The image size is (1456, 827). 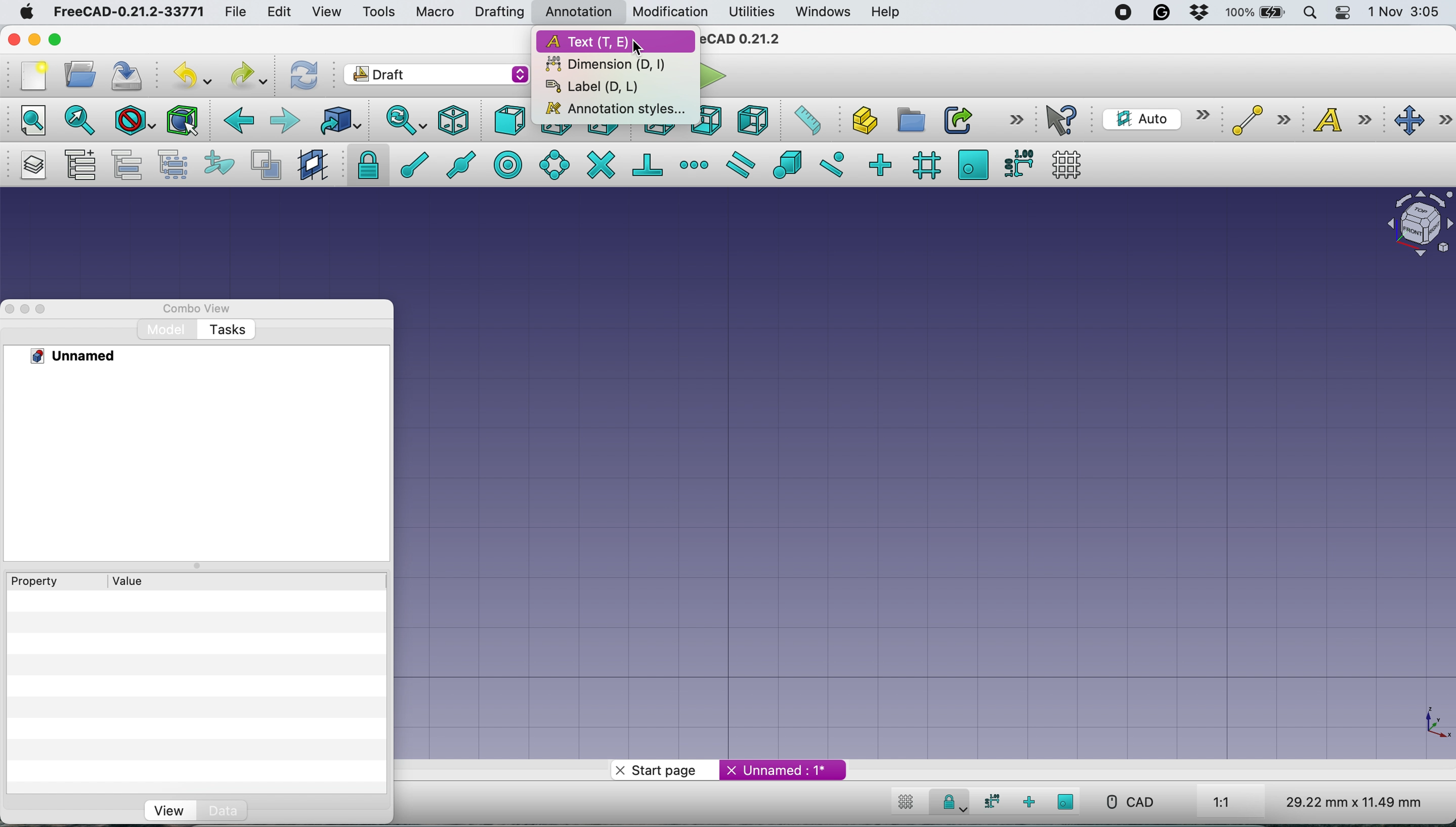 What do you see at coordinates (602, 65) in the screenshot?
I see `dimension` at bounding box center [602, 65].